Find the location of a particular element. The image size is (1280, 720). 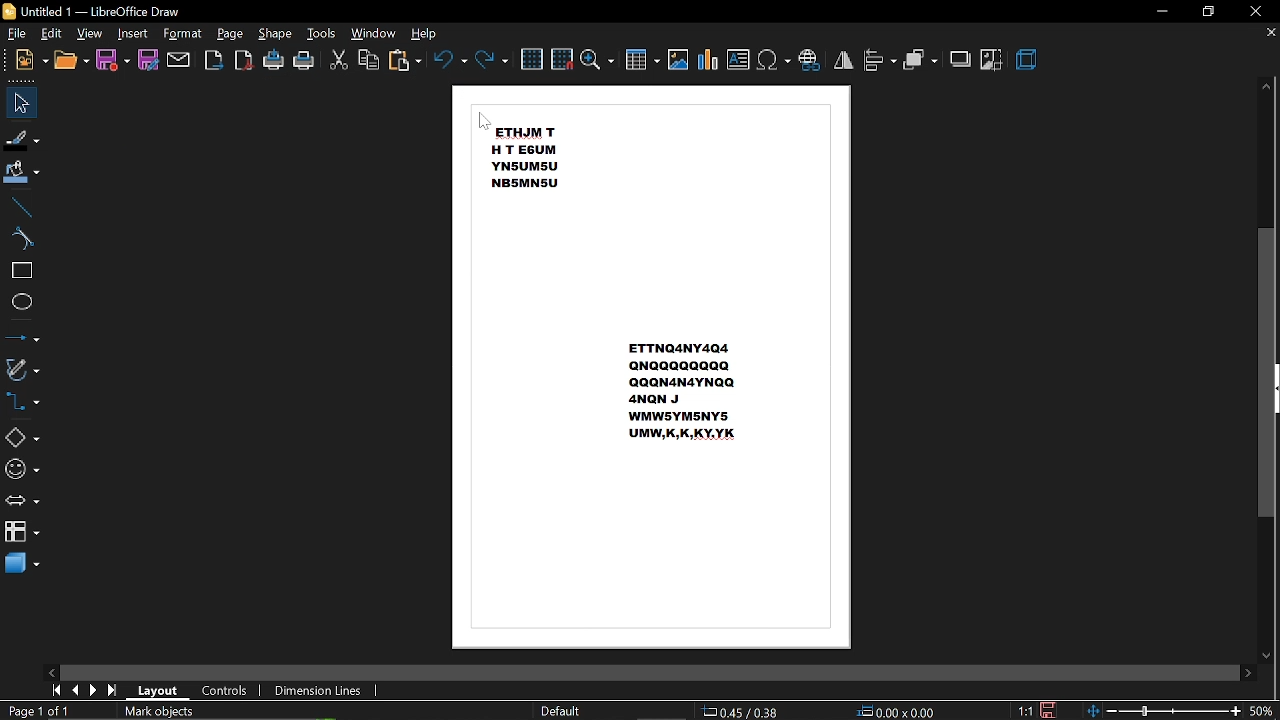

3d effect is located at coordinates (1029, 61).